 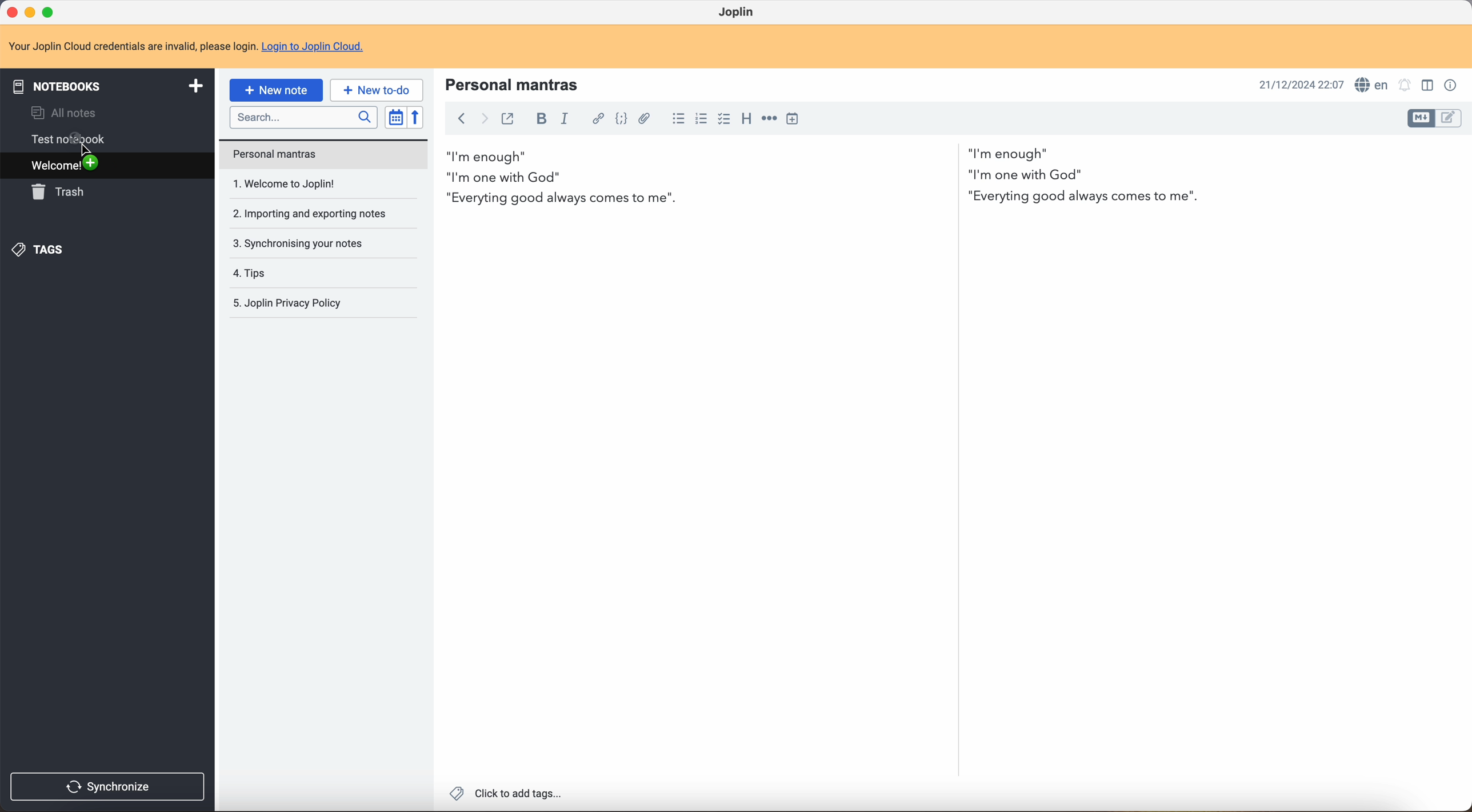 What do you see at coordinates (105, 166) in the screenshot?
I see `welcome` at bounding box center [105, 166].